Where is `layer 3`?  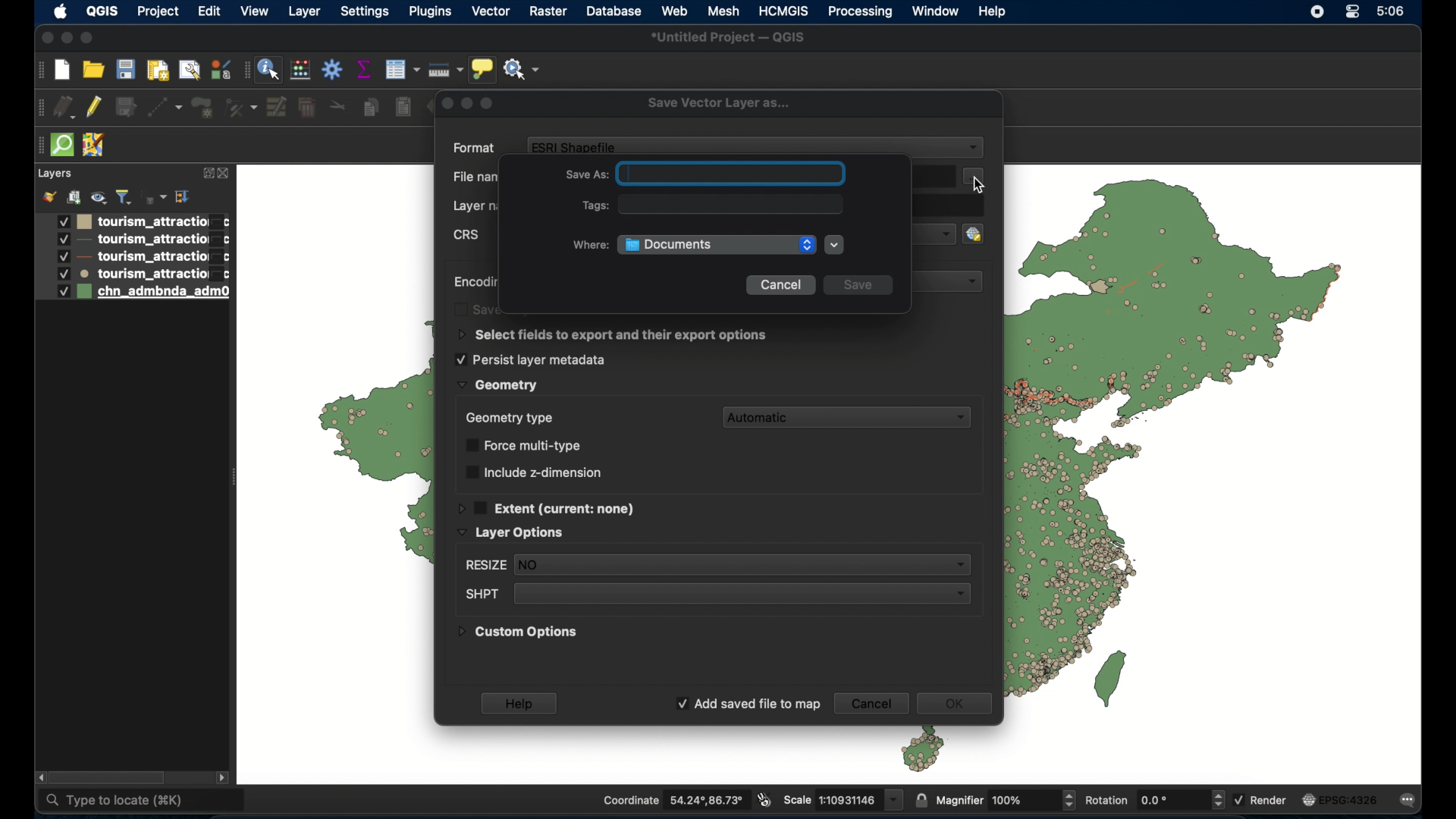 layer 3 is located at coordinates (131, 257).